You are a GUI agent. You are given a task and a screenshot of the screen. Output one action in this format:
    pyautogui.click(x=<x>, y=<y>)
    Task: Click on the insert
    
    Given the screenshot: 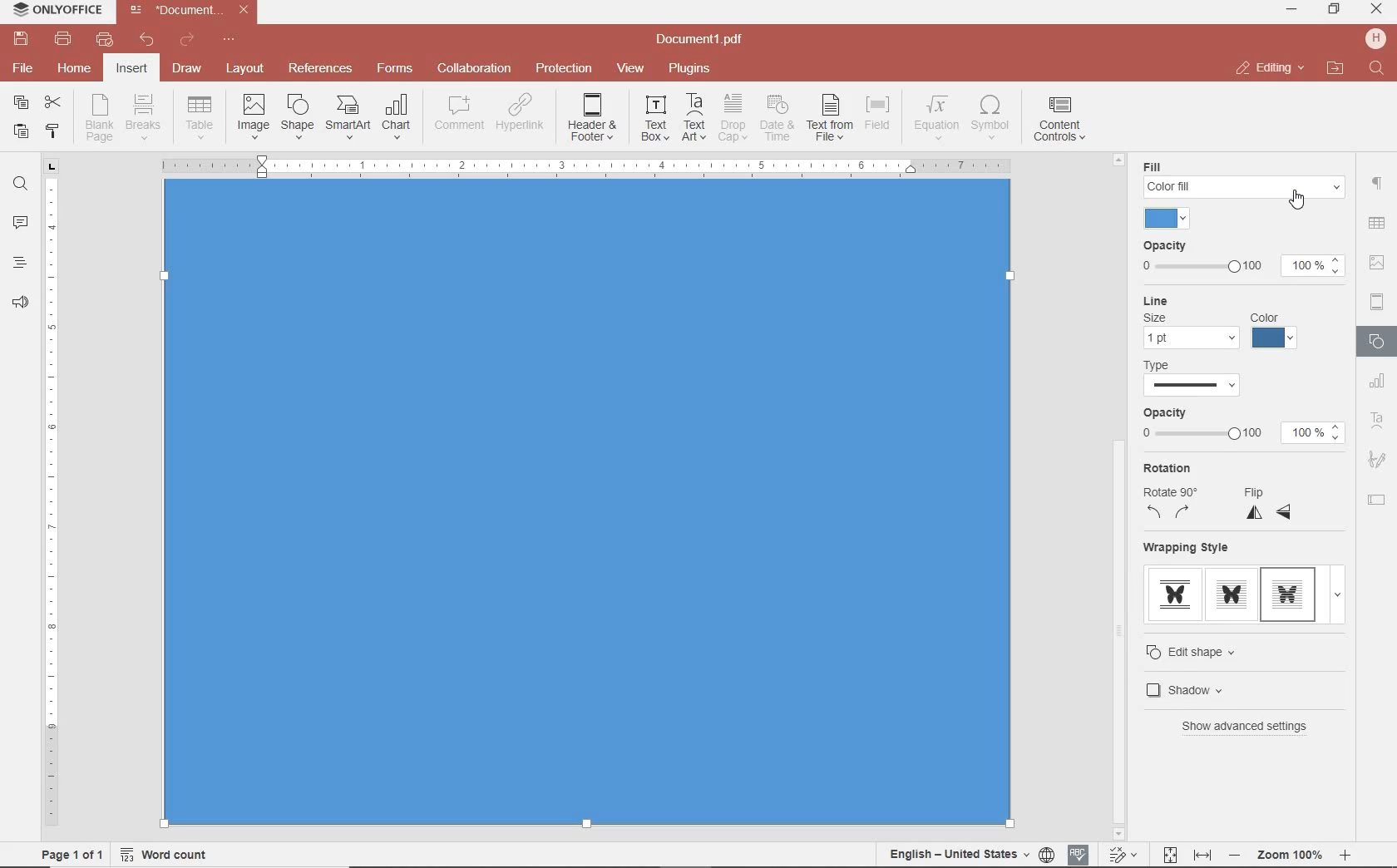 What is the action you would take?
    pyautogui.click(x=131, y=70)
    